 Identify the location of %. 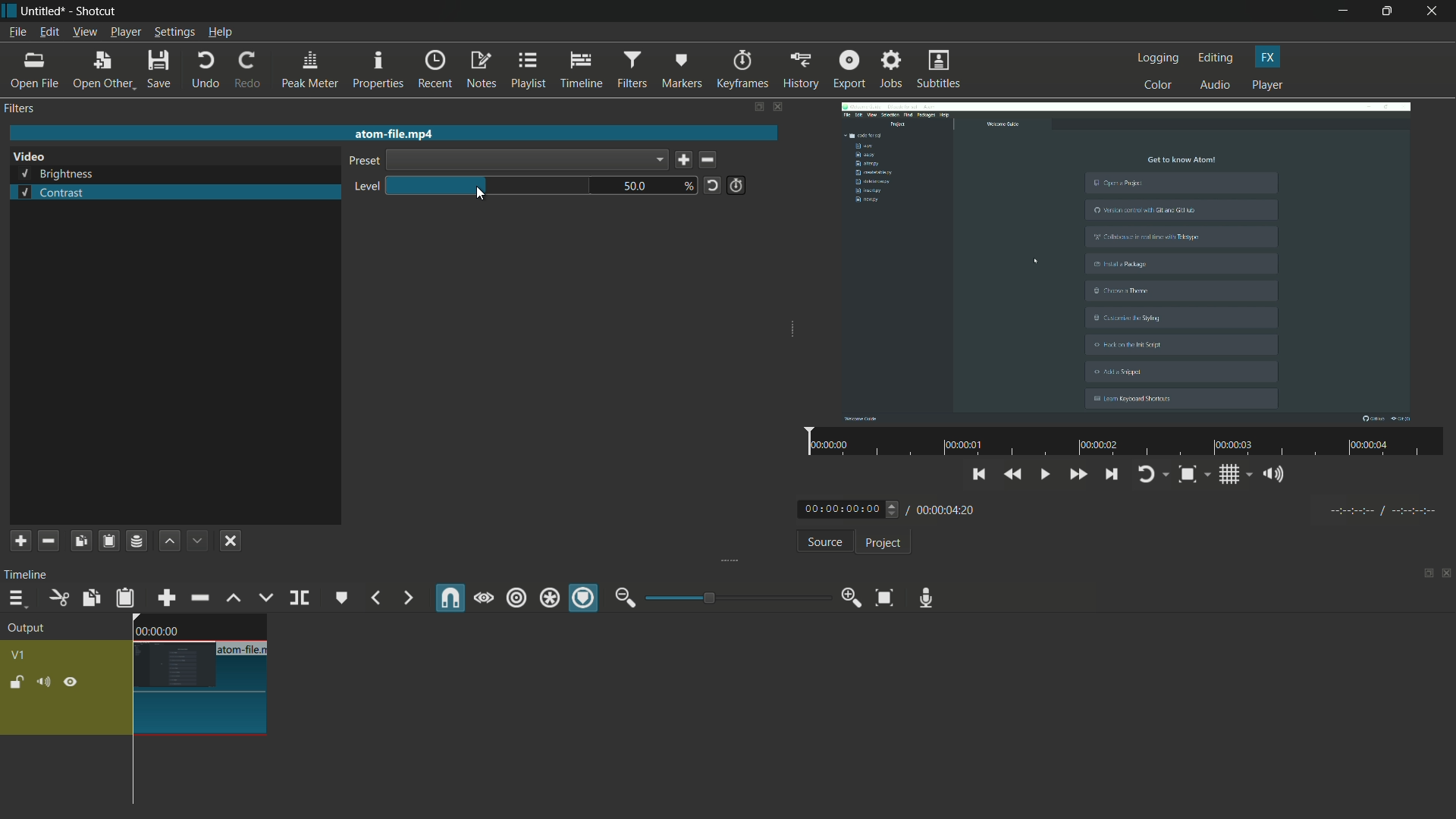
(689, 185).